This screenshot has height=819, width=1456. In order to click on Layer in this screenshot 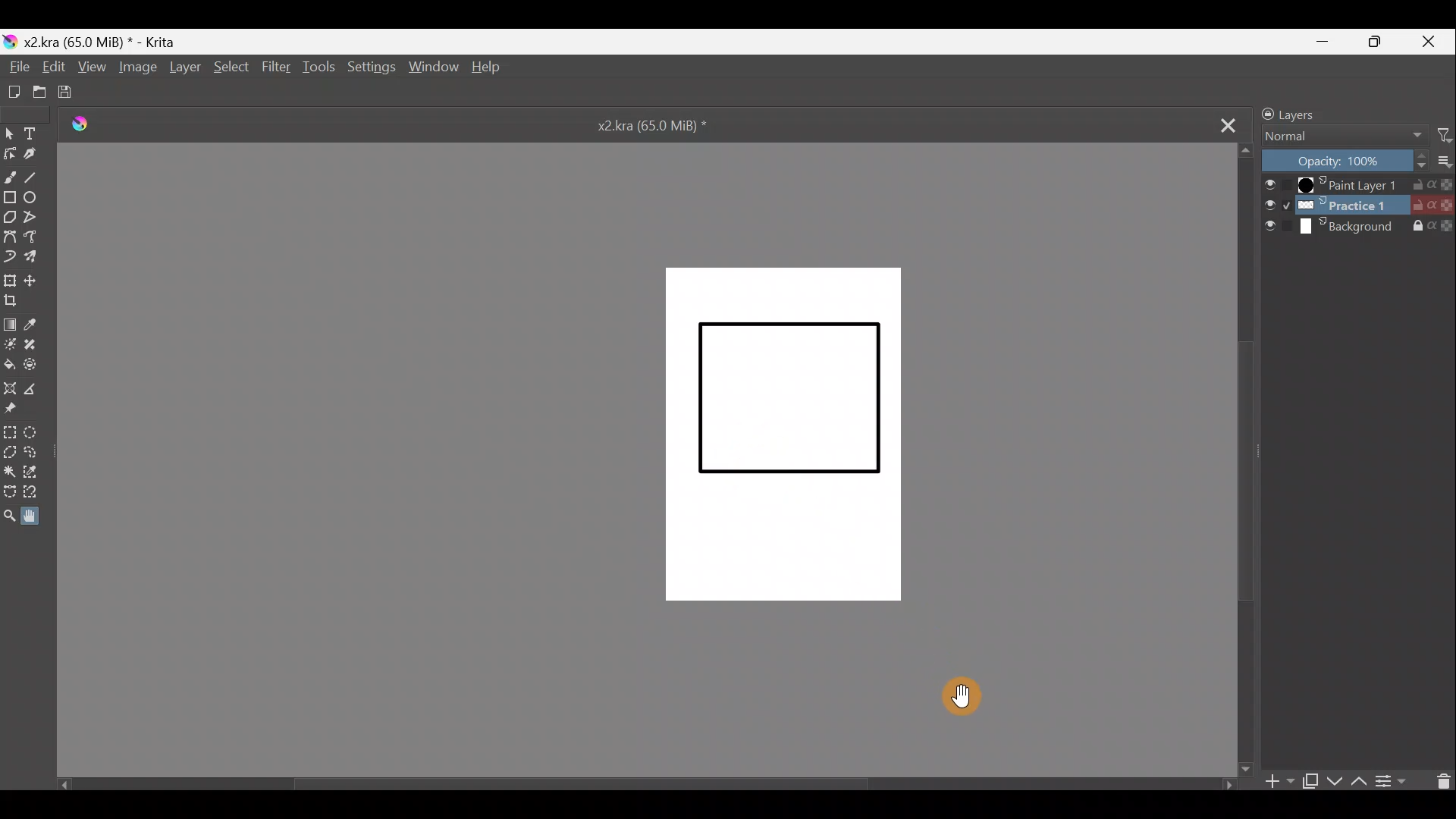, I will do `click(184, 71)`.